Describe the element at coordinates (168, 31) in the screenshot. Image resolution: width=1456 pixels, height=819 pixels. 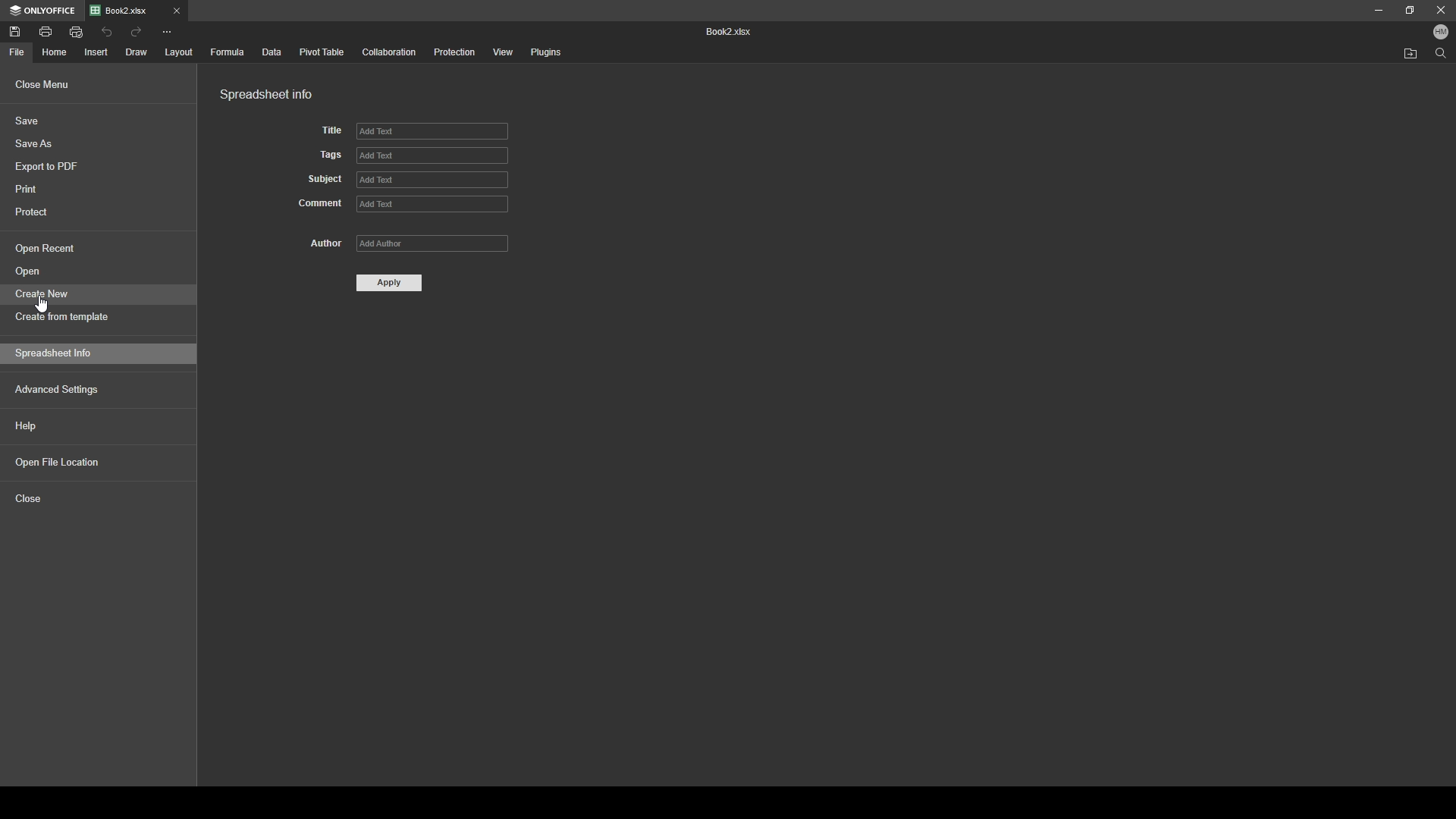
I see `more options` at that location.